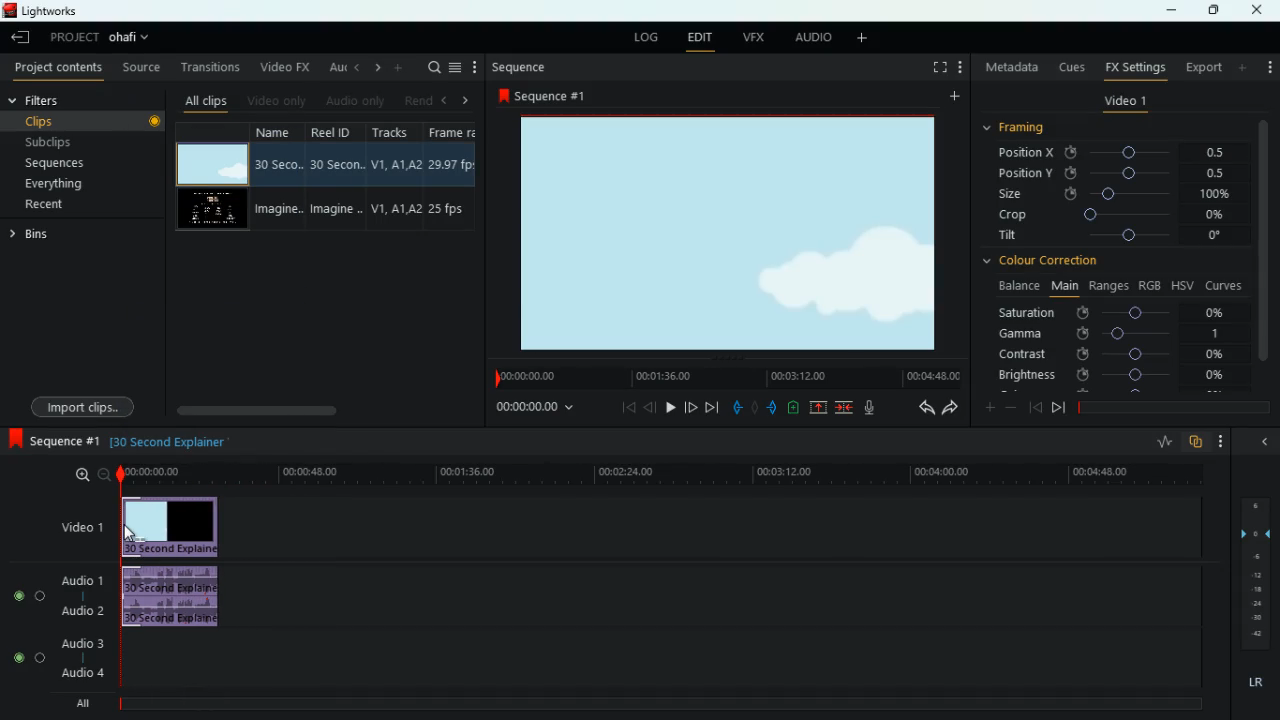  I want to click on left, so click(358, 68).